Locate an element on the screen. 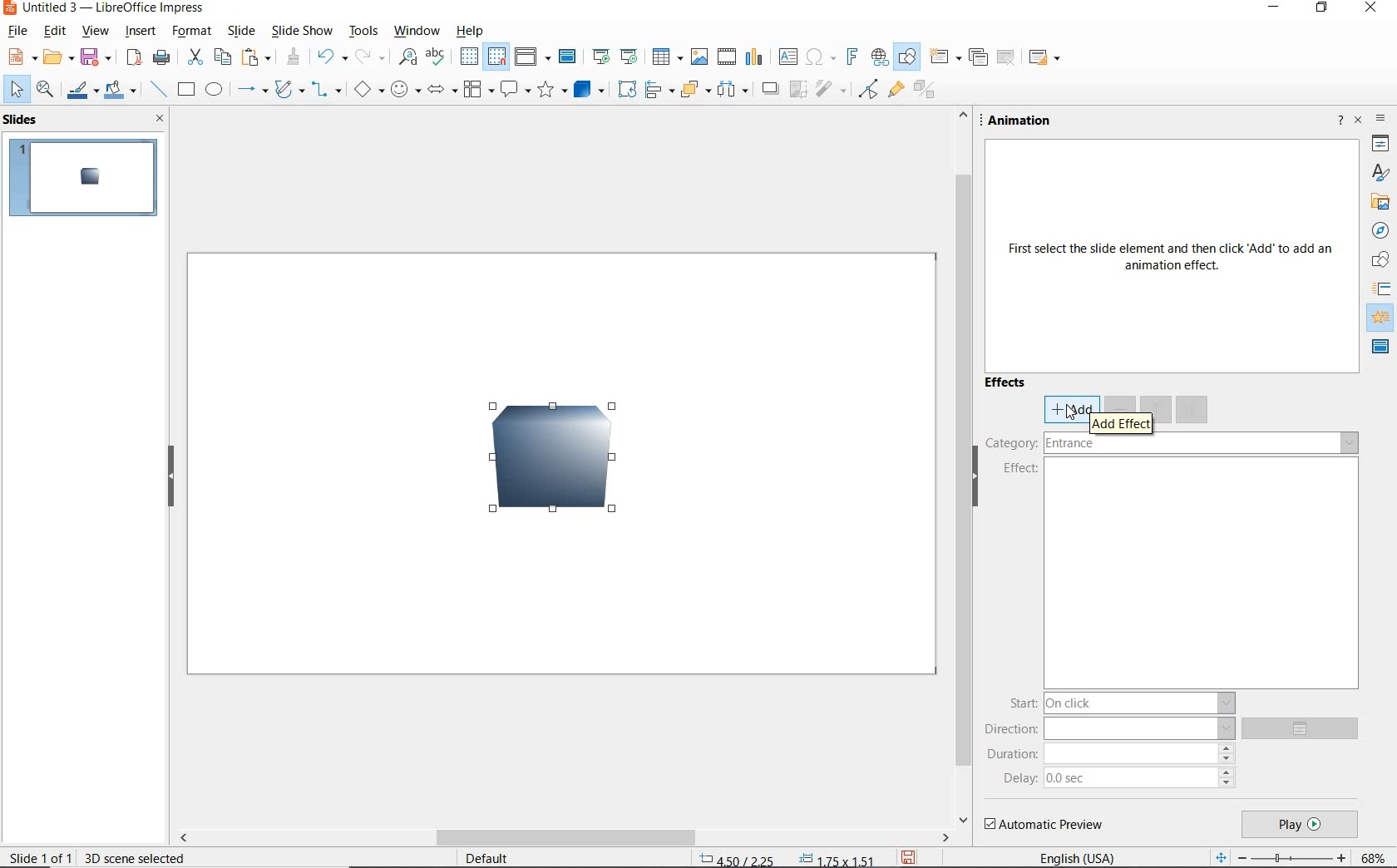  filter is located at coordinates (830, 87).